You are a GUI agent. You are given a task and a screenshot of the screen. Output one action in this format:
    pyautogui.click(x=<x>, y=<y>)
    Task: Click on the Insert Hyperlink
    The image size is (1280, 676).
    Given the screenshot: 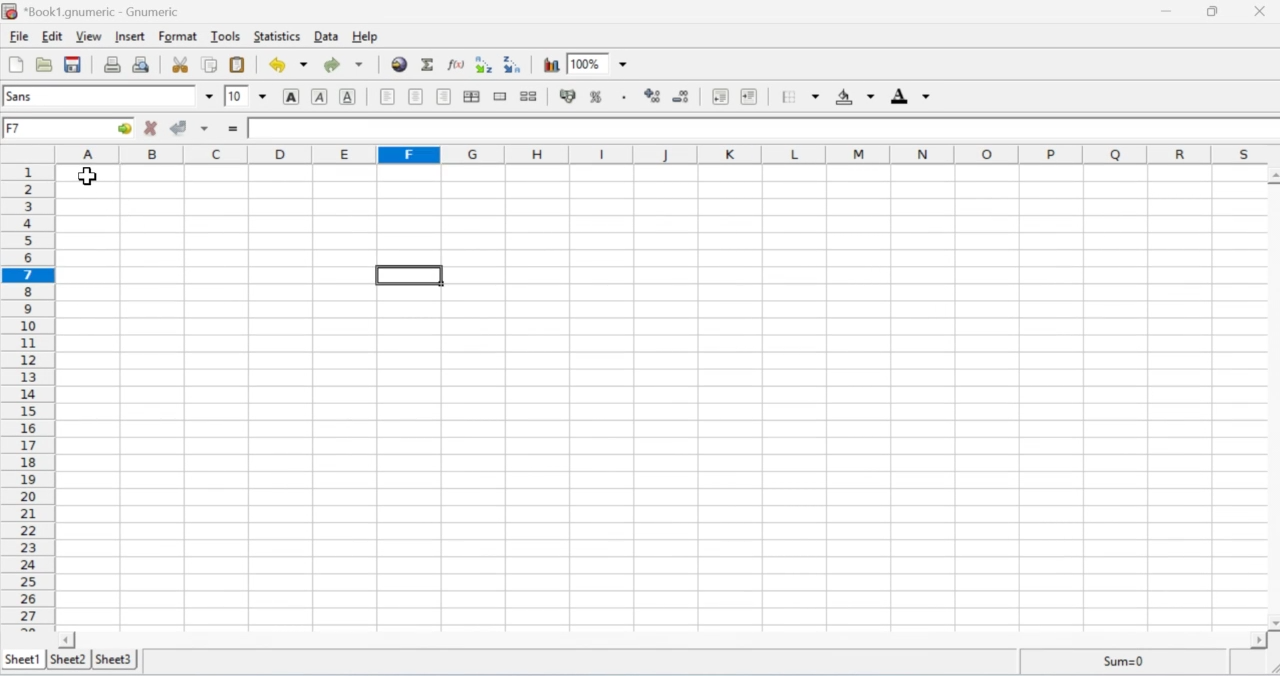 What is the action you would take?
    pyautogui.click(x=400, y=64)
    